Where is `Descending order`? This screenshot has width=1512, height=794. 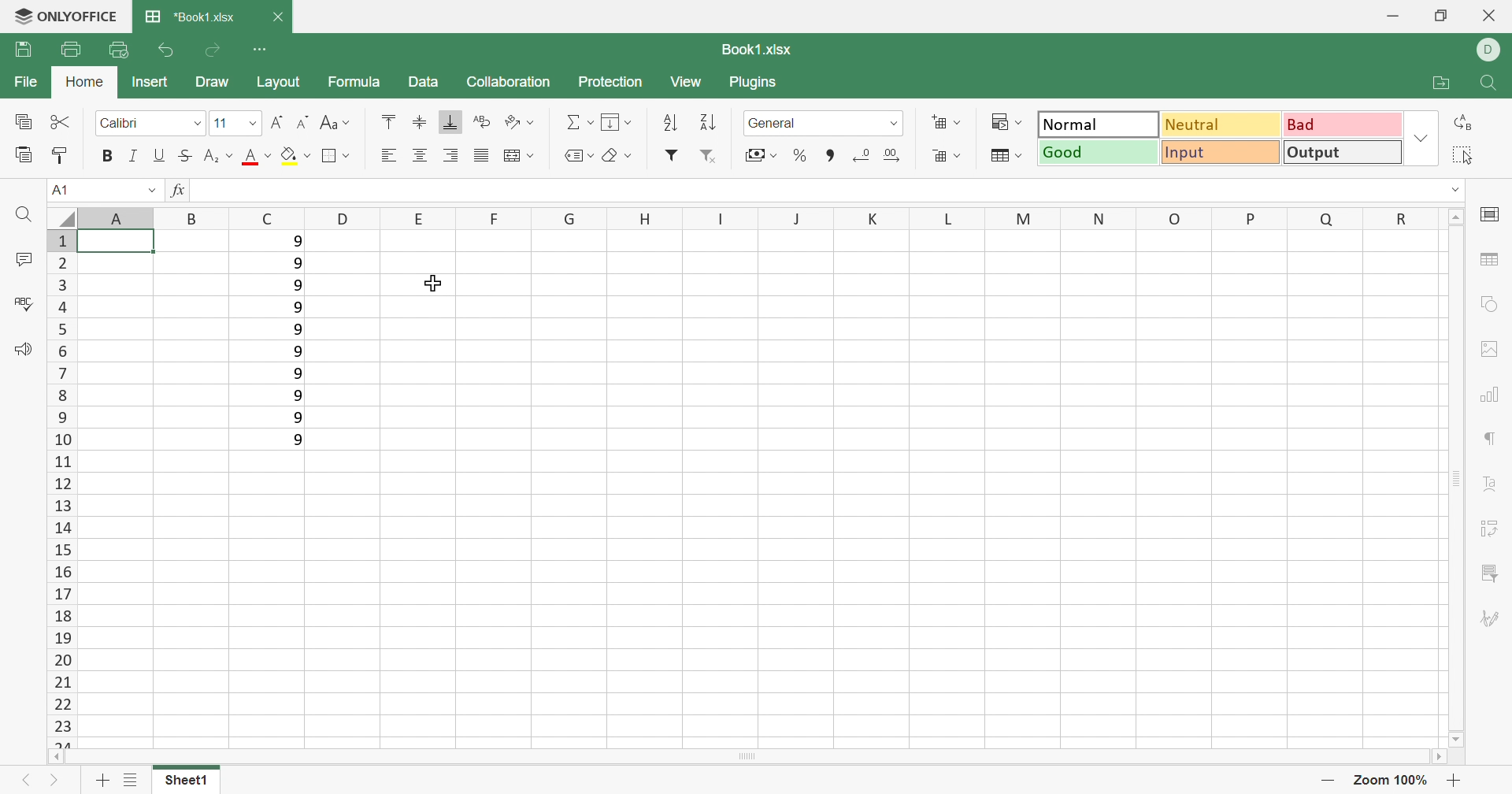
Descending order is located at coordinates (710, 121).